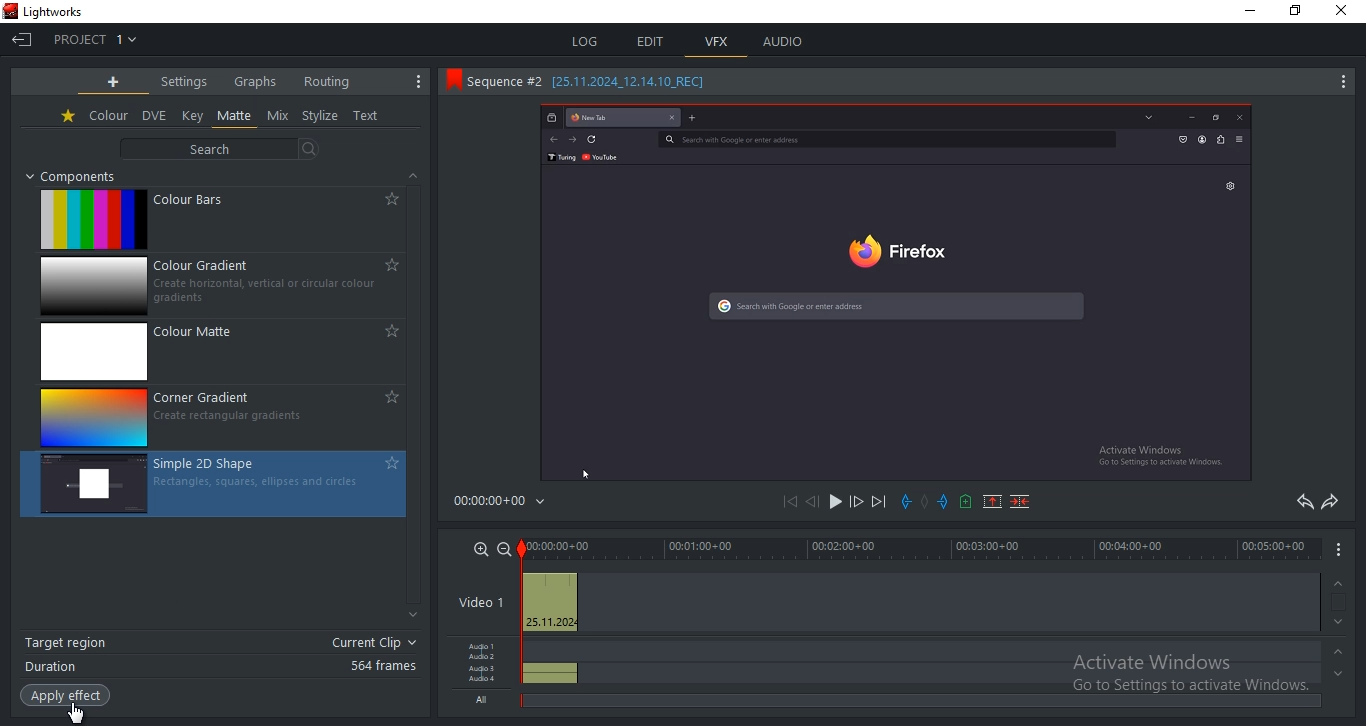 This screenshot has height=726, width=1366. I want to click on corner gradient, so click(222, 416).